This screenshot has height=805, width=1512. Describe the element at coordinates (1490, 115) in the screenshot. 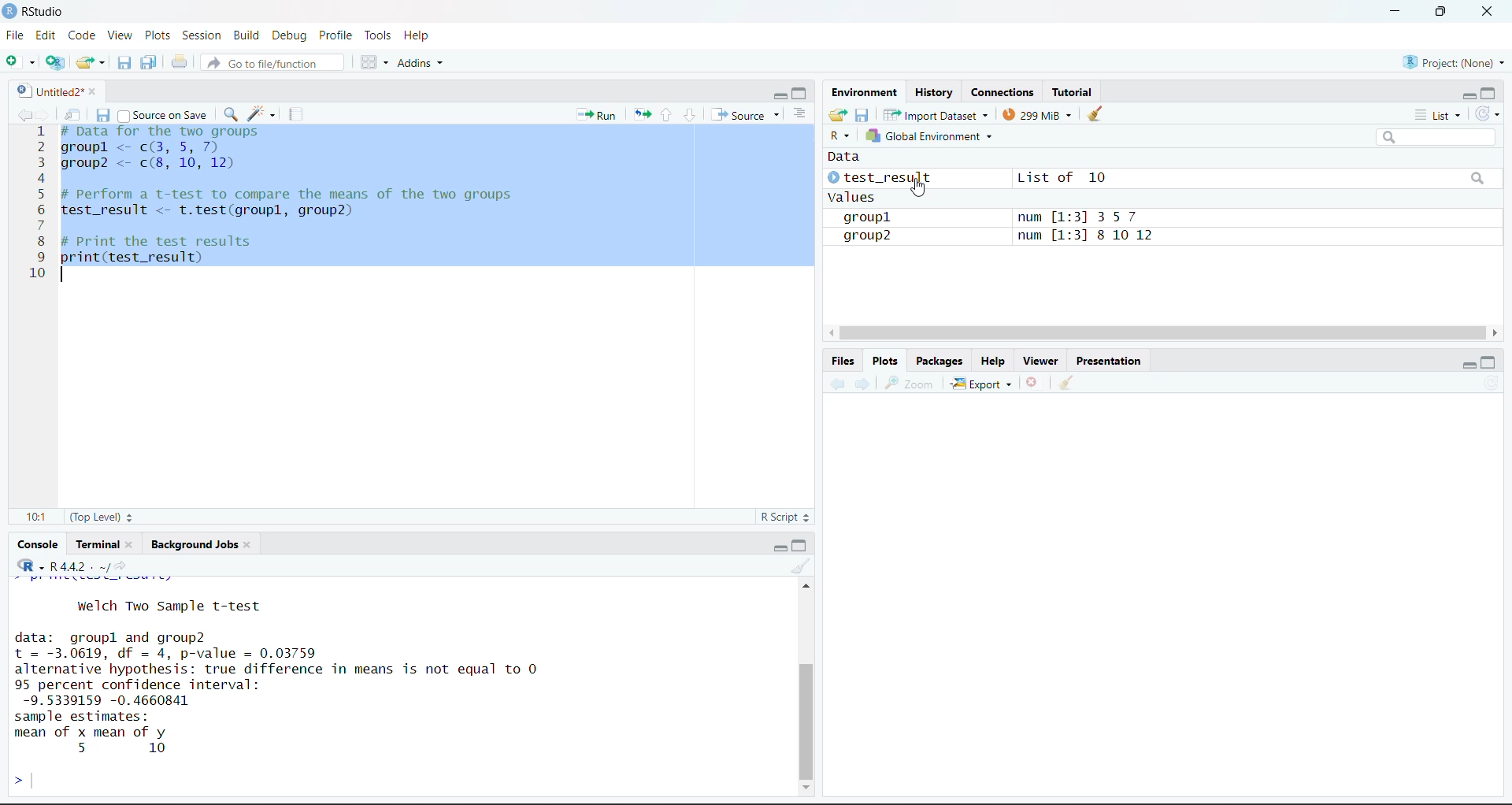

I see `refresh the list of objects in the environment` at that location.